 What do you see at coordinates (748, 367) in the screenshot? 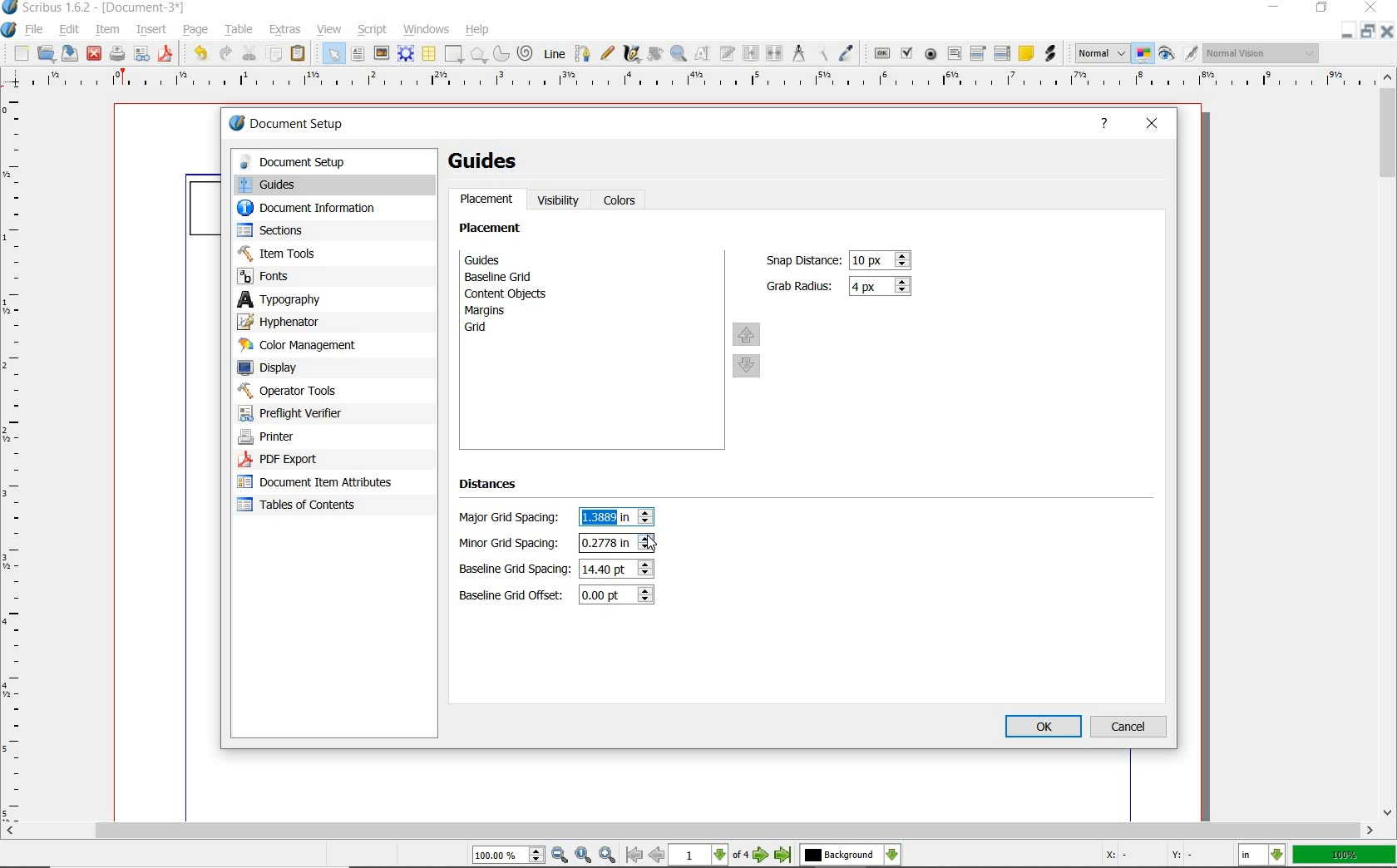
I see `move down` at bounding box center [748, 367].